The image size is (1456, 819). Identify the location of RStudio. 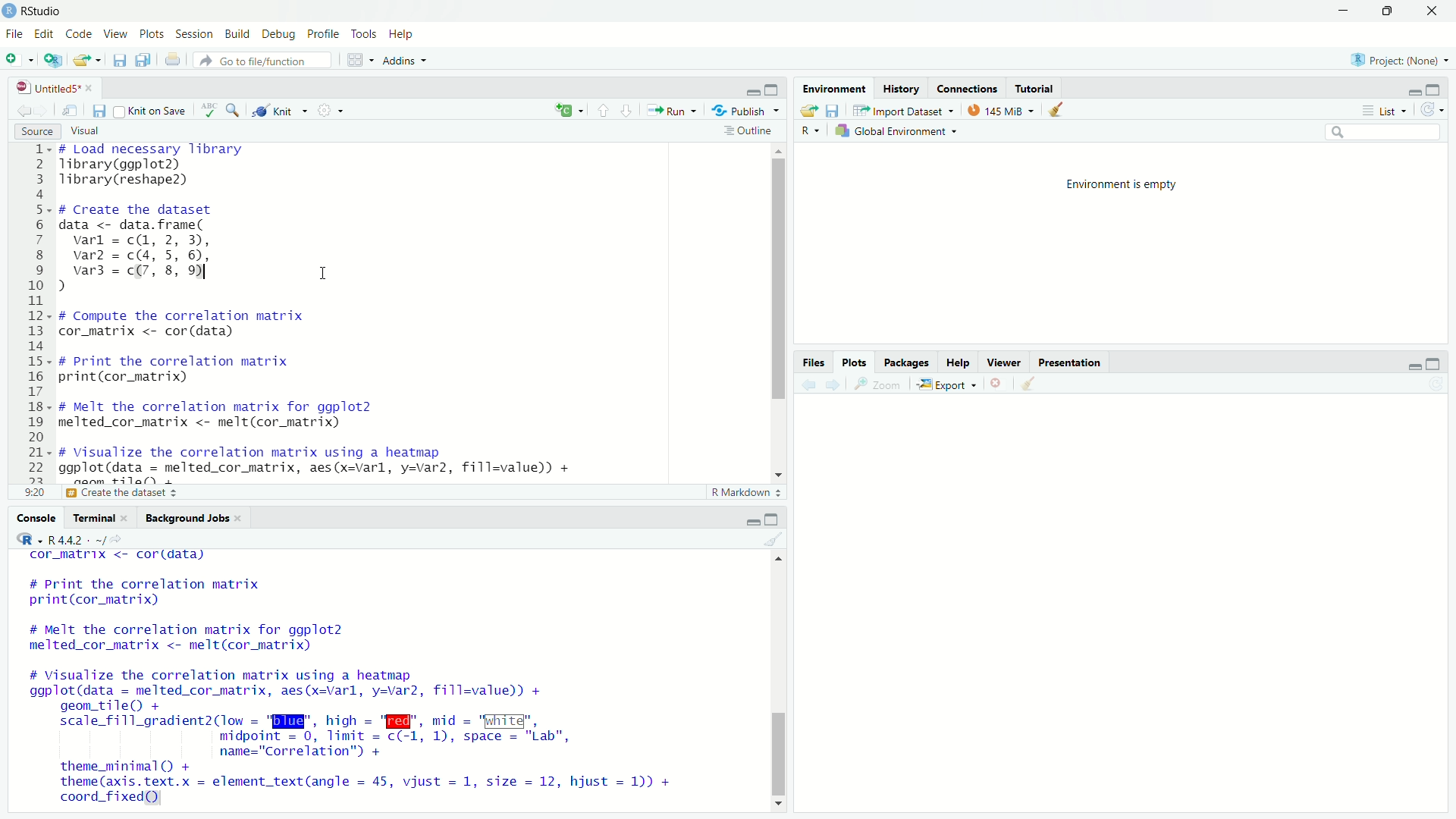
(43, 11).